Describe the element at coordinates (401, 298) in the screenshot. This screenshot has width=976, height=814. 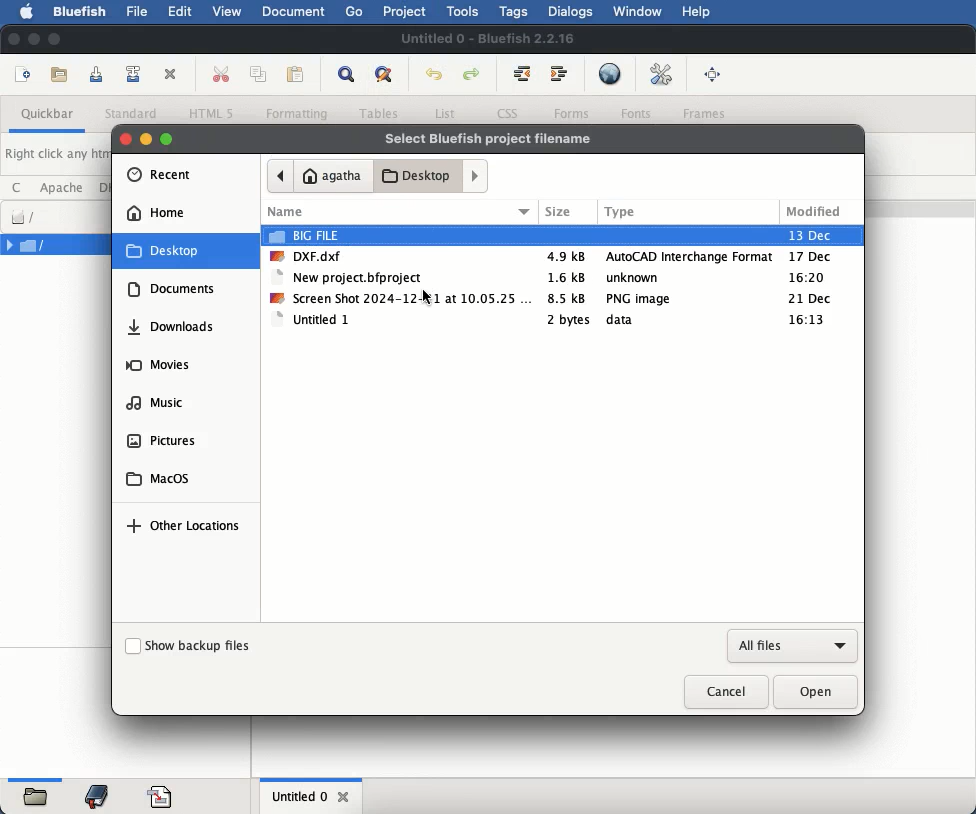
I see `screenshot` at that location.